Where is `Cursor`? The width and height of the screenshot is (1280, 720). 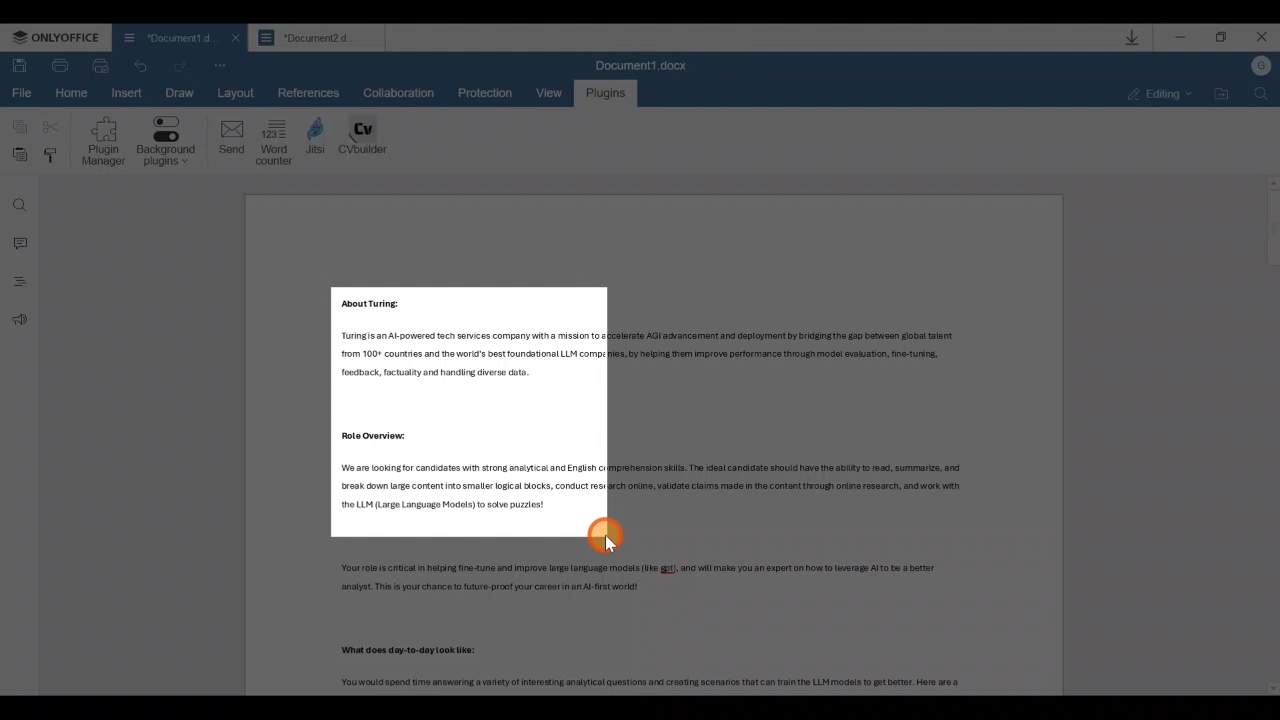 Cursor is located at coordinates (610, 540).